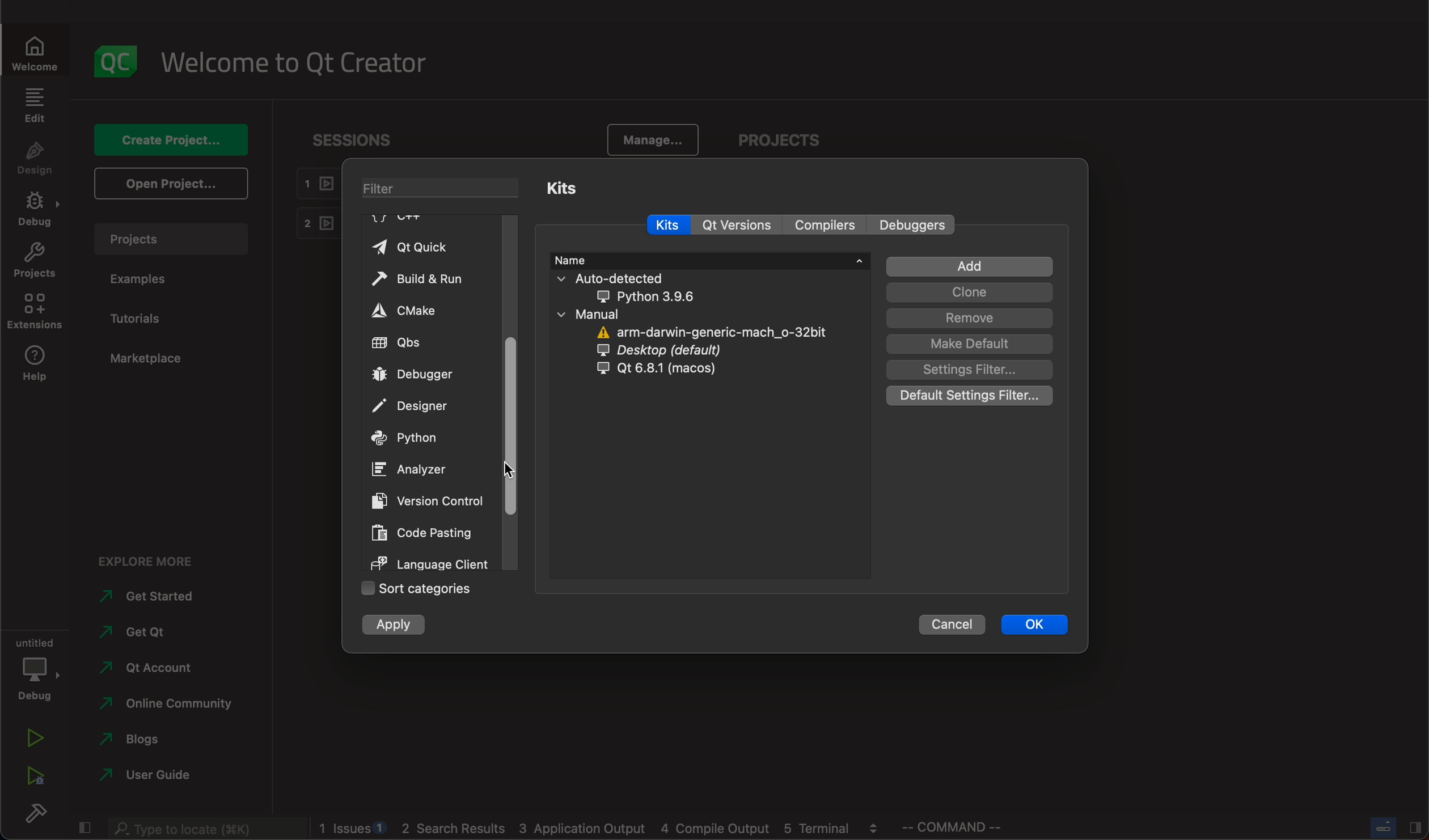 Image resolution: width=1429 pixels, height=840 pixels. What do you see at coordinates (31, 778) in the screenshot?
I see `run debug` at bounding box center [31, 778].